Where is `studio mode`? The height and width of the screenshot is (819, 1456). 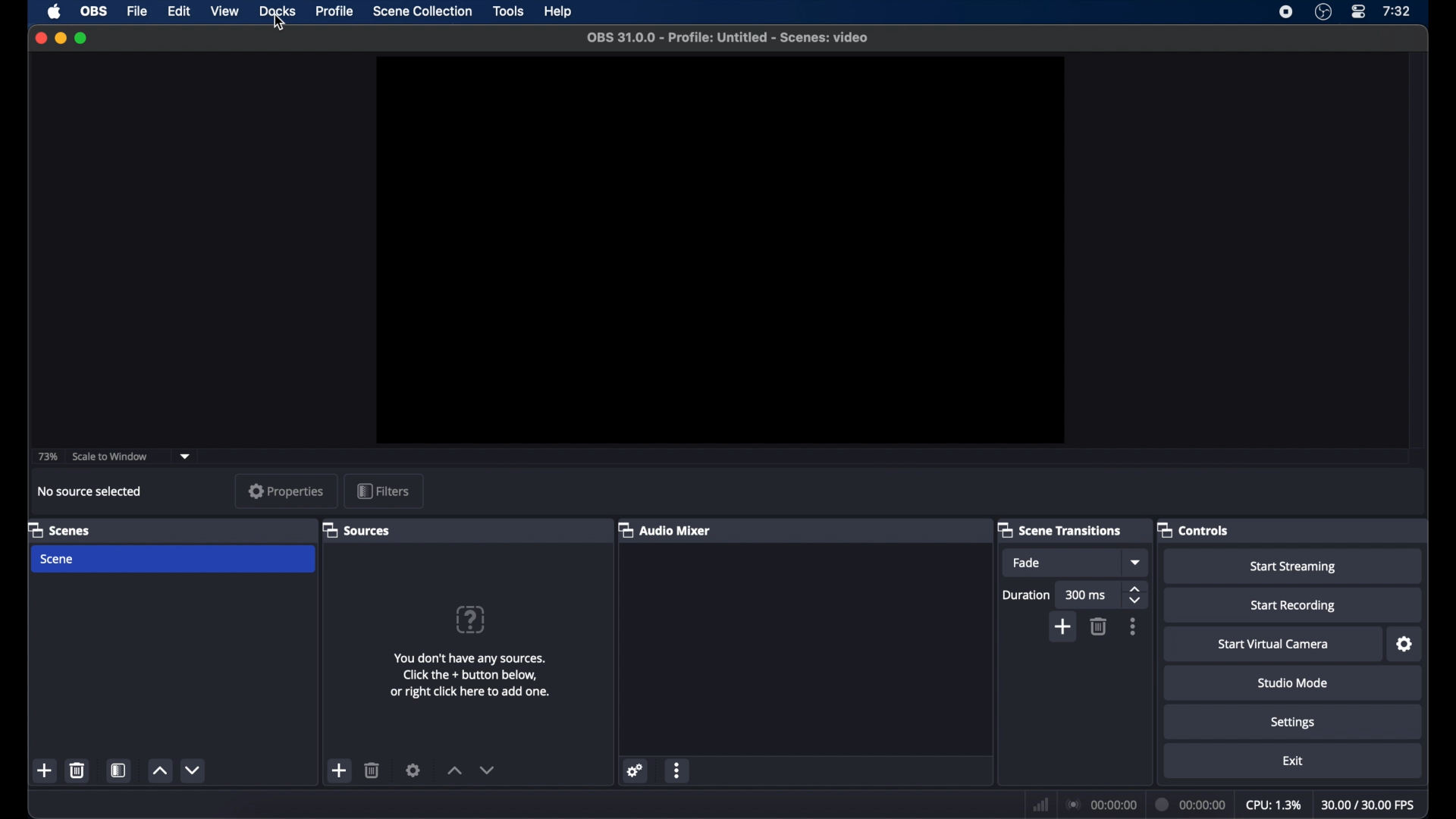 studio mode is located at coordinates (1293, 683).